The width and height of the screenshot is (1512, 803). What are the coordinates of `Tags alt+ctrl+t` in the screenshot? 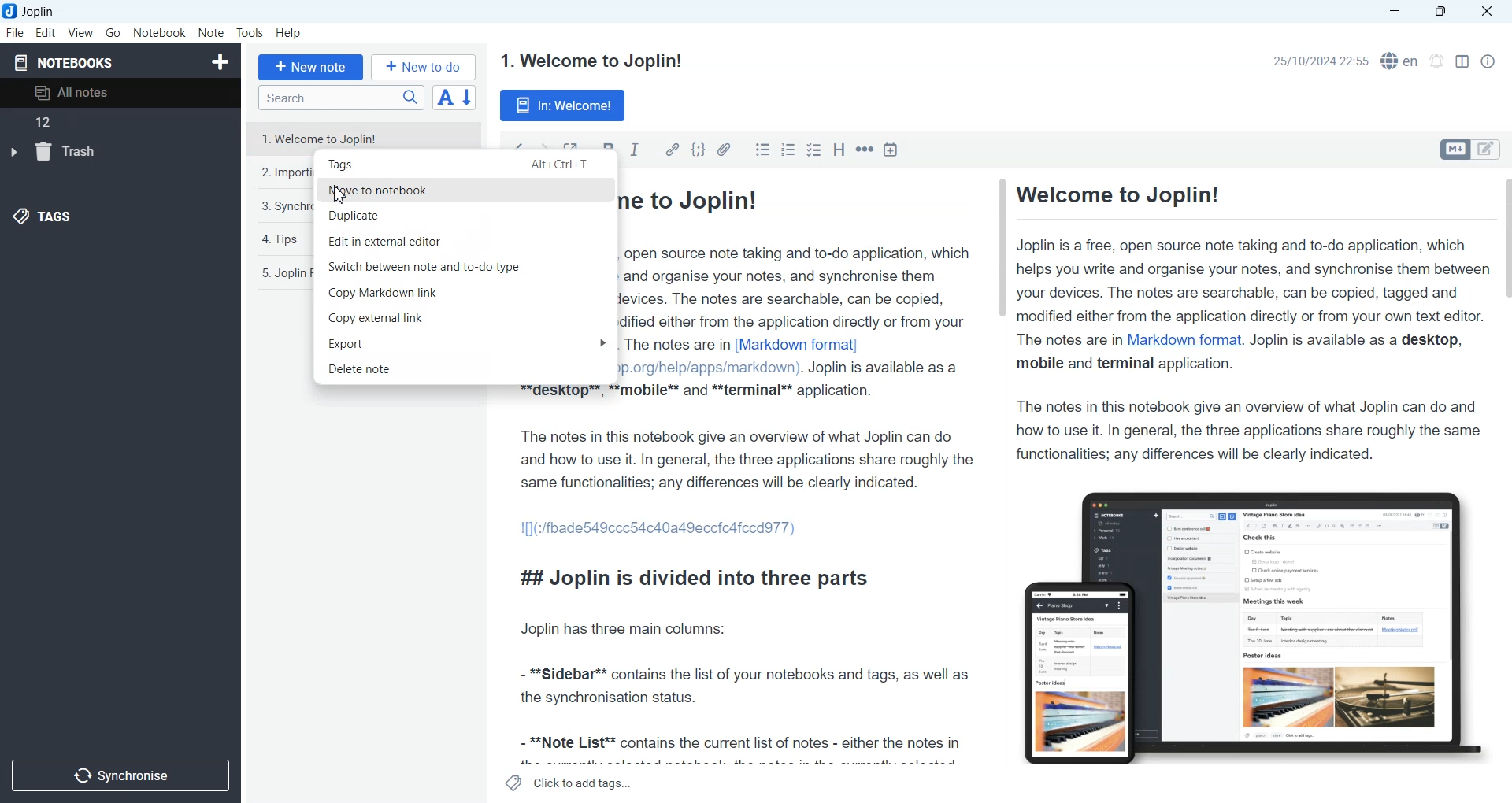 It's located at (465, 164).